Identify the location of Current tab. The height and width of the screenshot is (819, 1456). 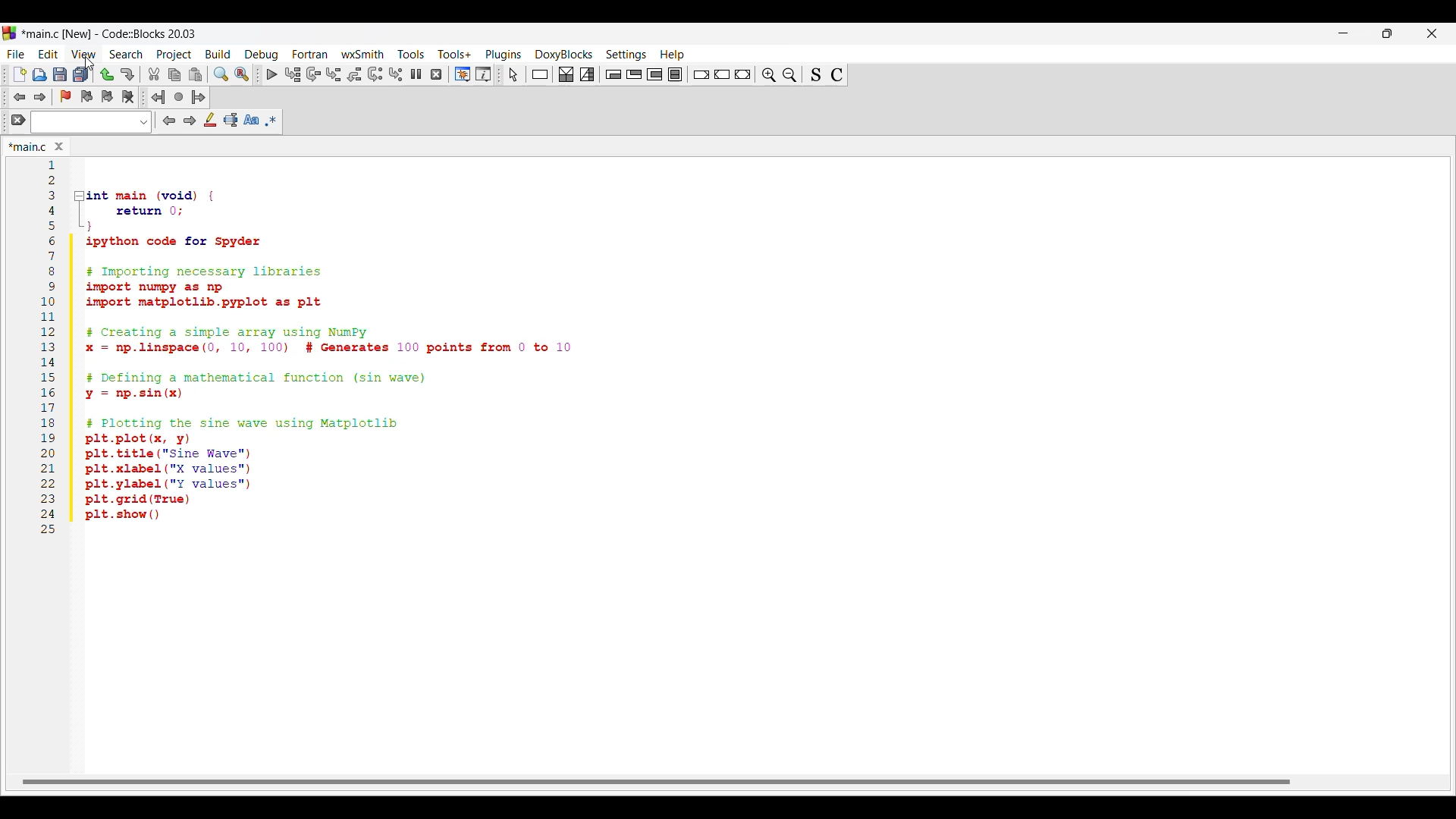
(27, 146).